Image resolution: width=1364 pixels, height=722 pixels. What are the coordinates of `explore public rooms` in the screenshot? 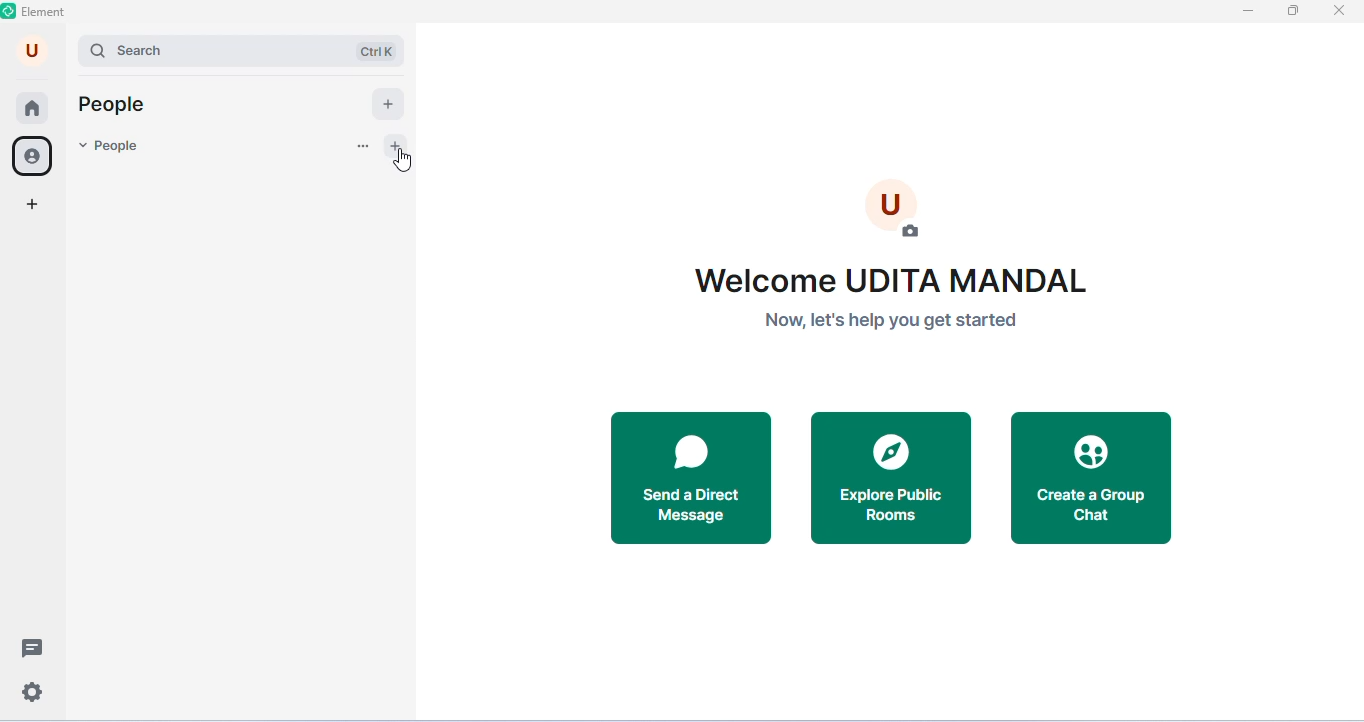 It's located at (893, 479).